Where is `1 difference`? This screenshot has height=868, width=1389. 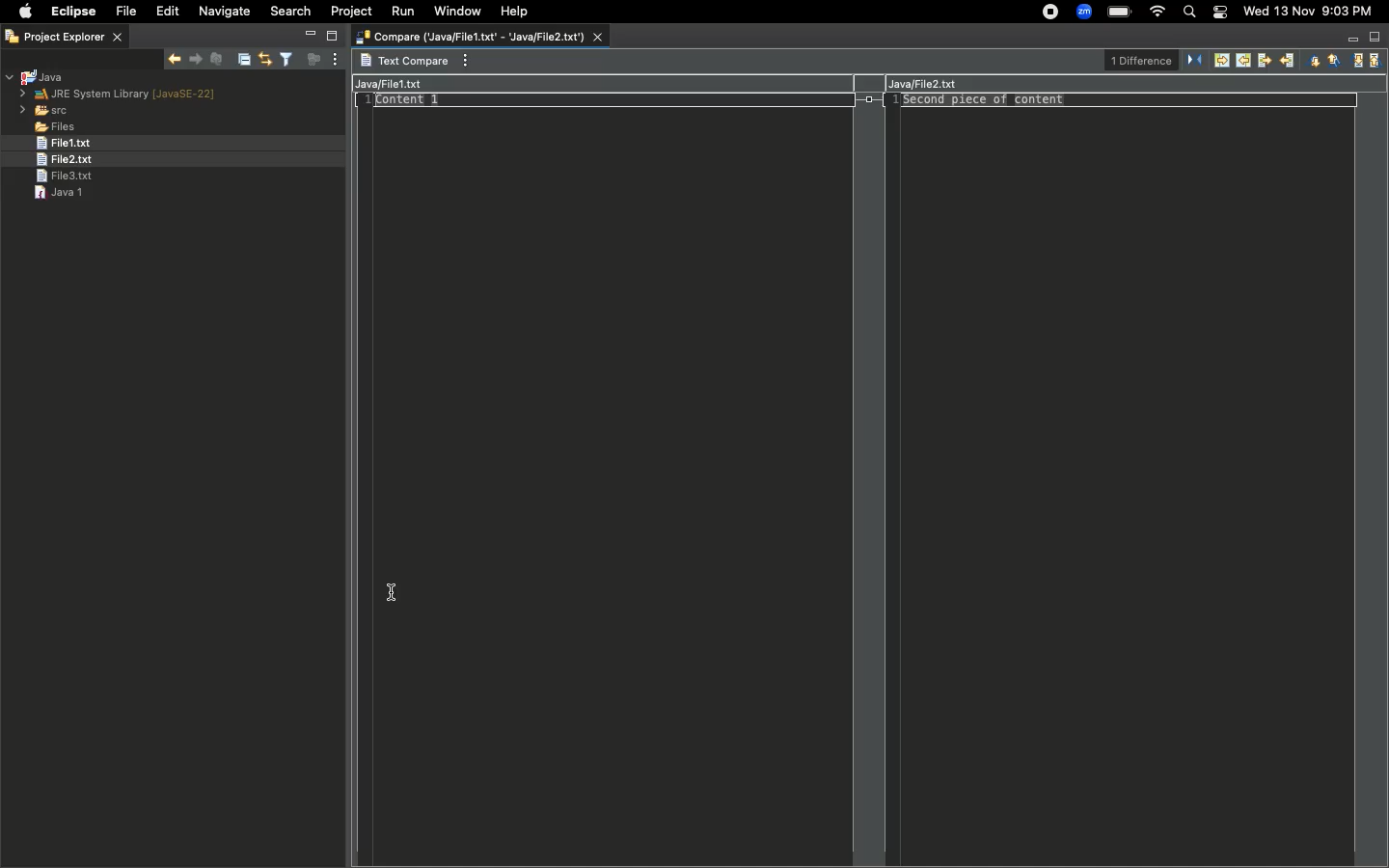 1 difference is located at coordinates (1142, 62).